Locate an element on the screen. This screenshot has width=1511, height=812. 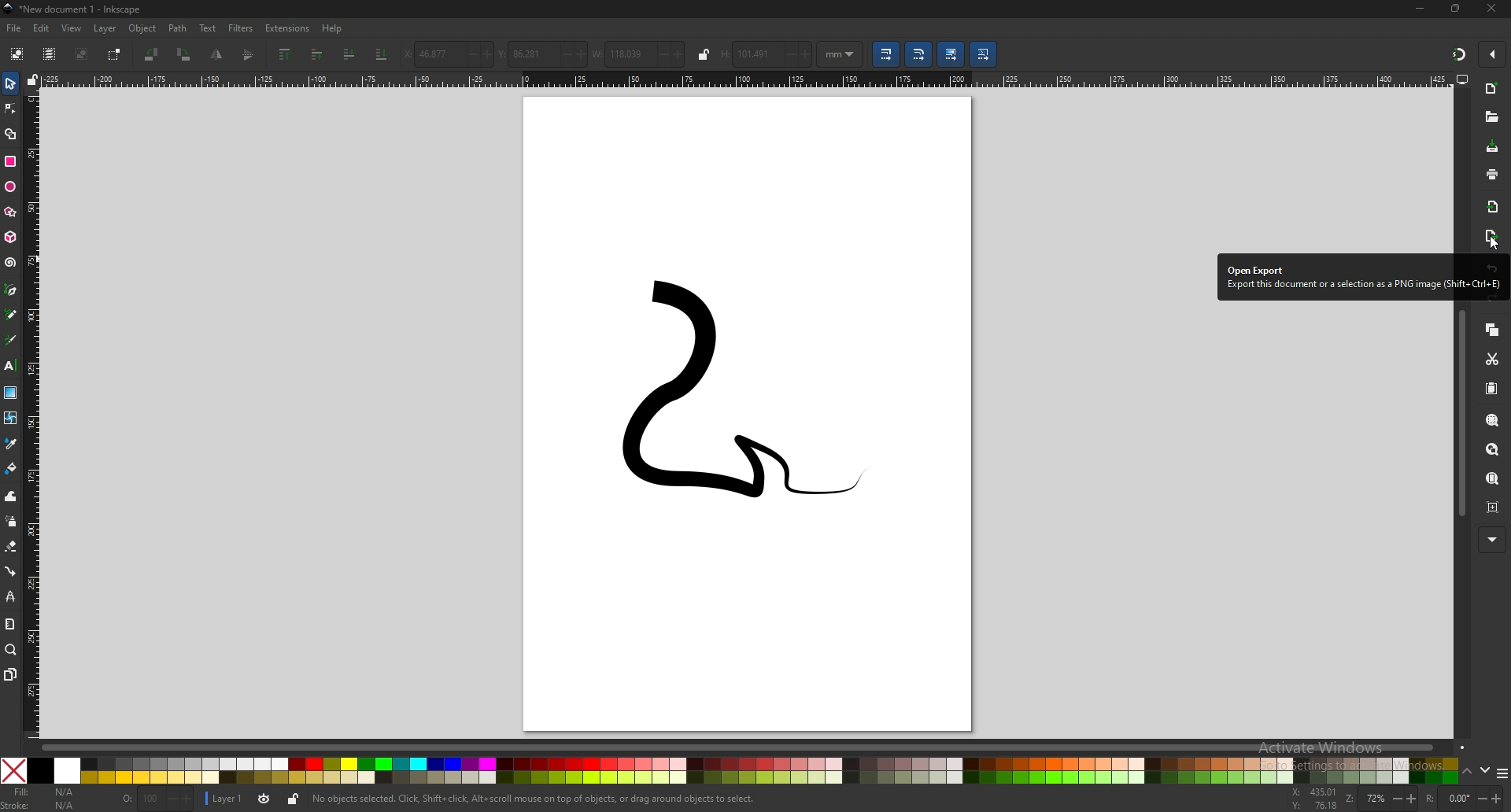
down is located at coordinates (1484, 770).